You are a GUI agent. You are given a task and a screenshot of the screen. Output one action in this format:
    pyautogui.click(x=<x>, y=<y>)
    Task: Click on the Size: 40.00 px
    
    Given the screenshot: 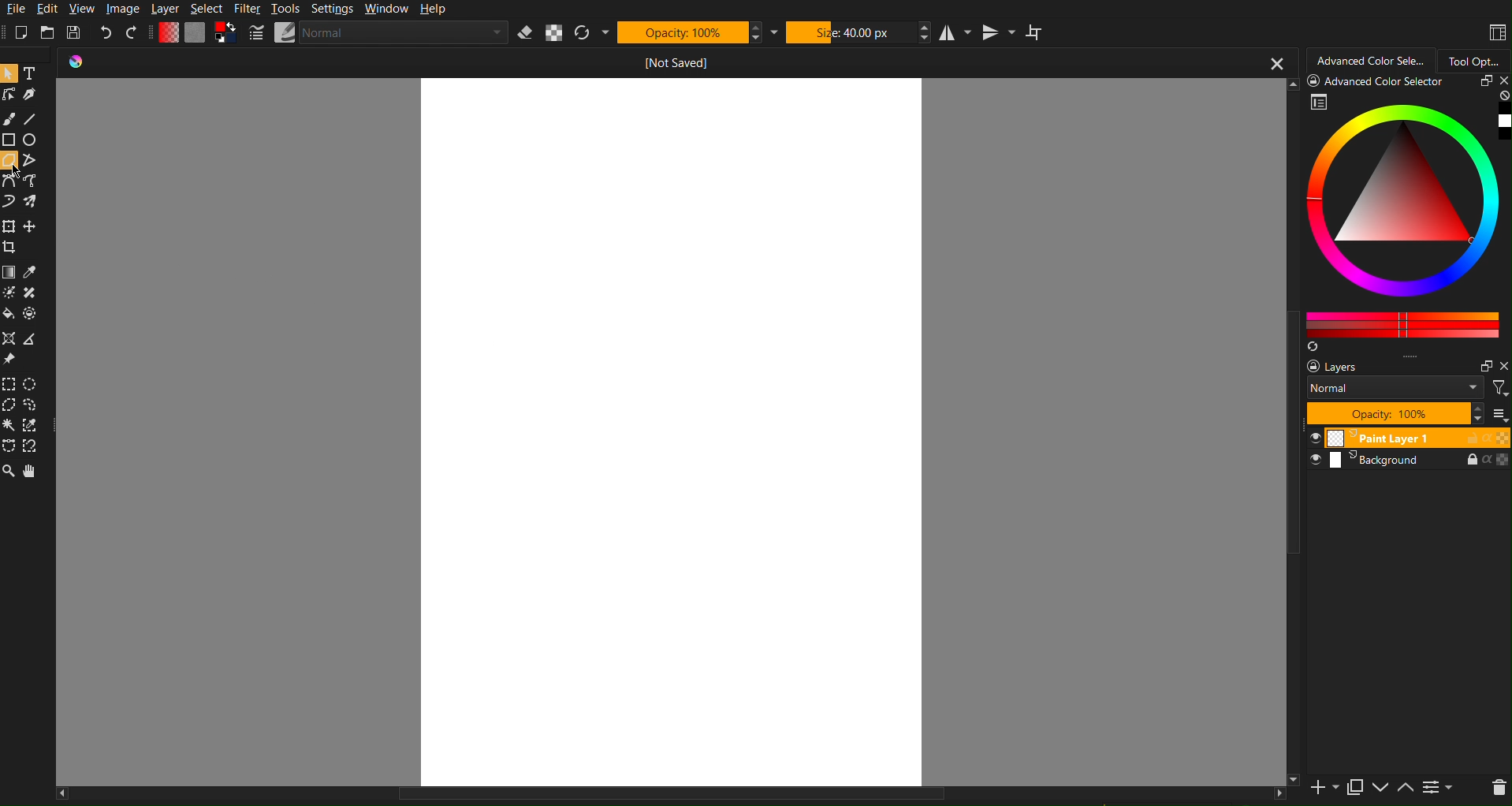 What is the action you would take?
    pyautogui.click(x=849, y=32)
    